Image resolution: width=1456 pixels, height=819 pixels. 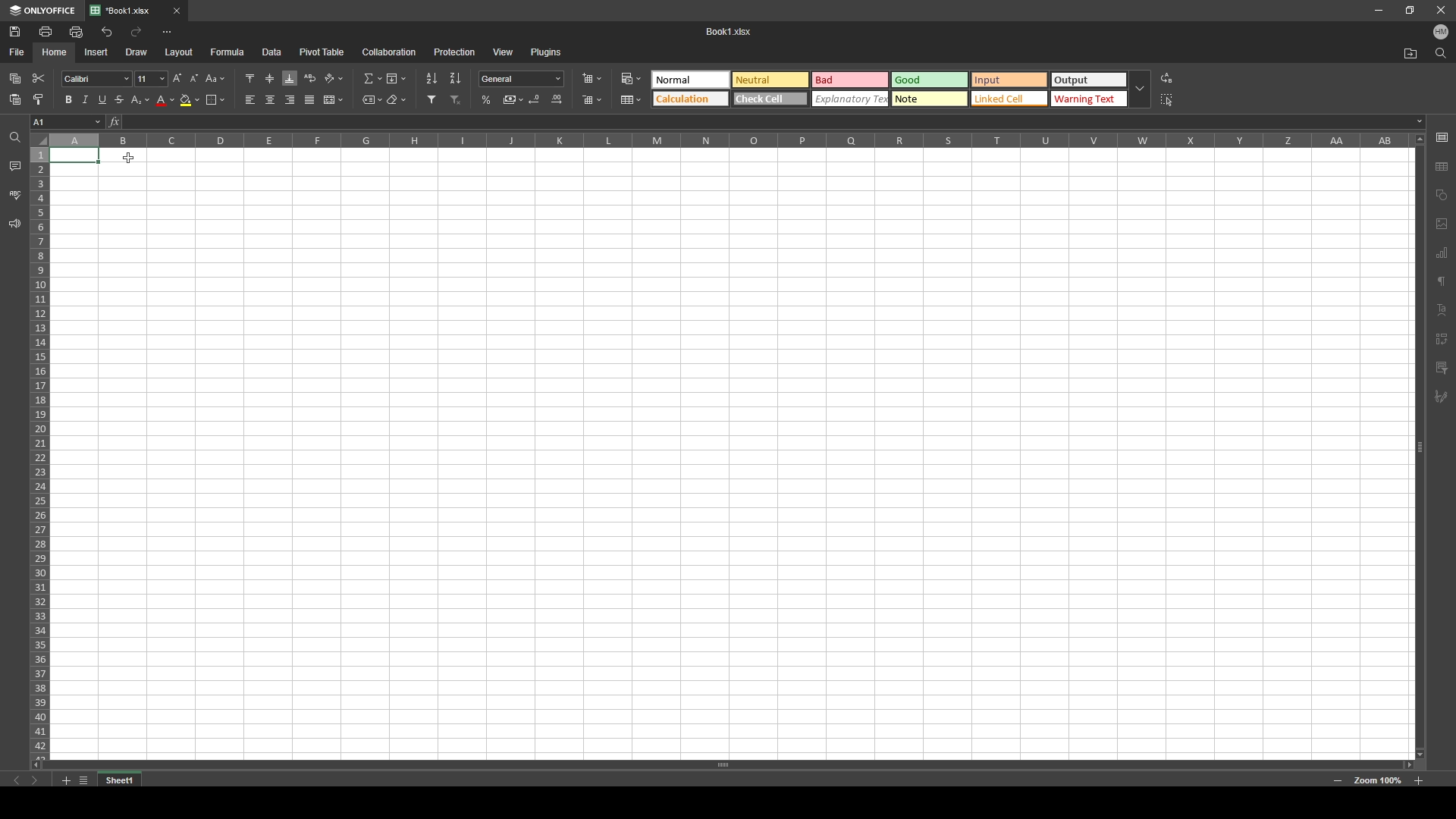 I want to click on pen and brush, so click(x=1441, y=397).